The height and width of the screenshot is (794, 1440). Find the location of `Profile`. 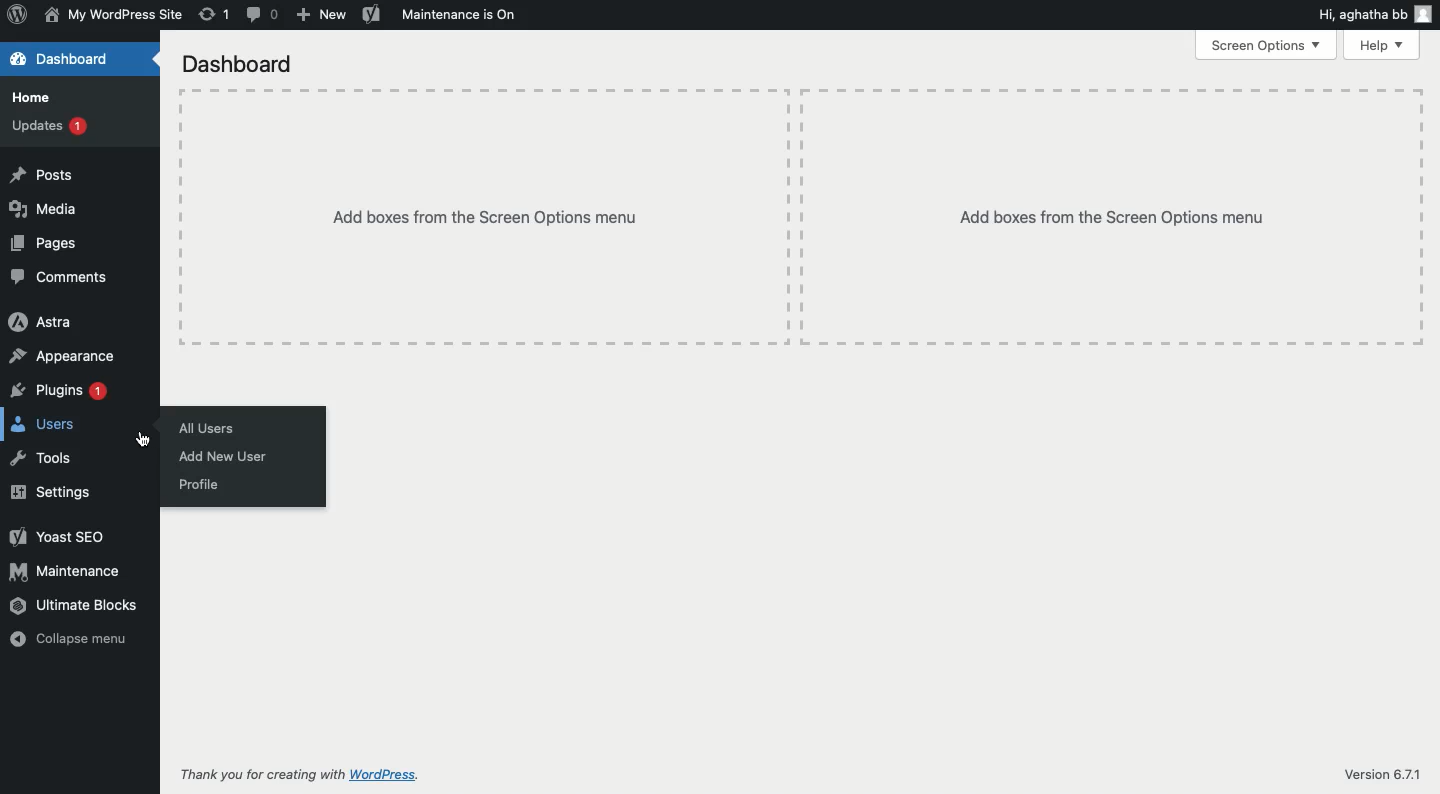

Profile is located at coordinates (200, 487).